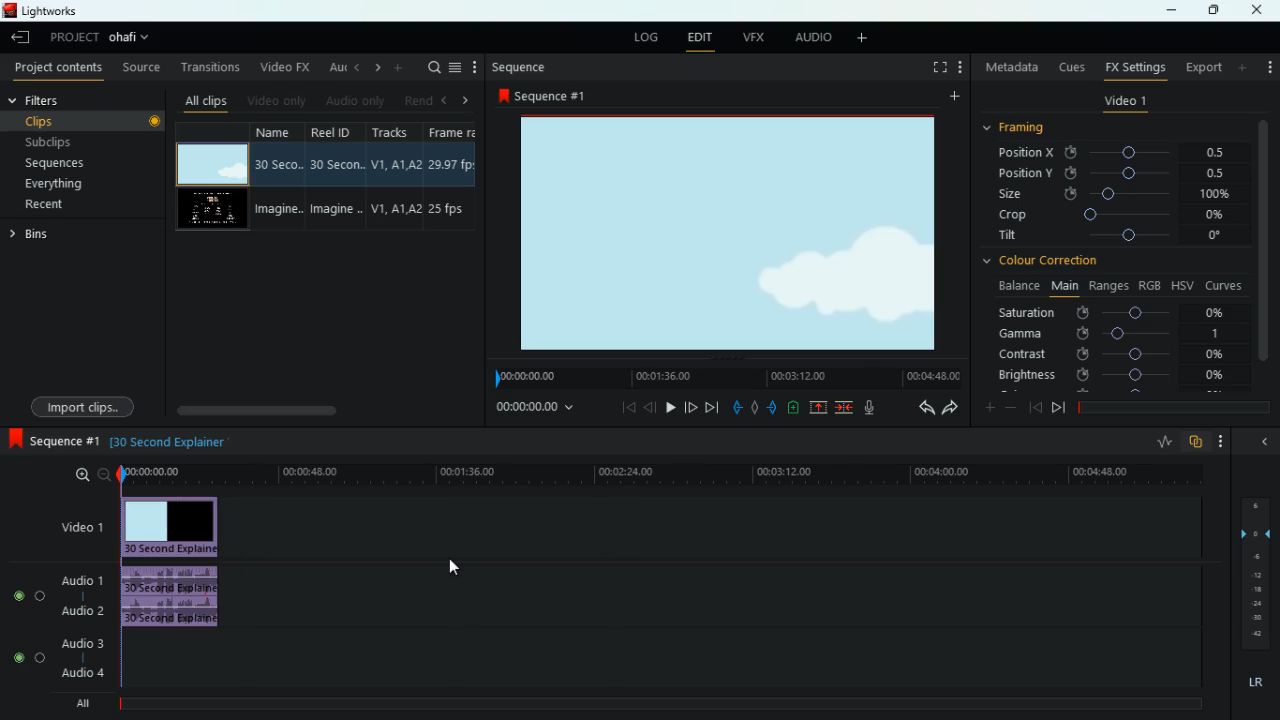 This screenshot has height=720, width=1280. I want to click on screen, so click(211, 210).